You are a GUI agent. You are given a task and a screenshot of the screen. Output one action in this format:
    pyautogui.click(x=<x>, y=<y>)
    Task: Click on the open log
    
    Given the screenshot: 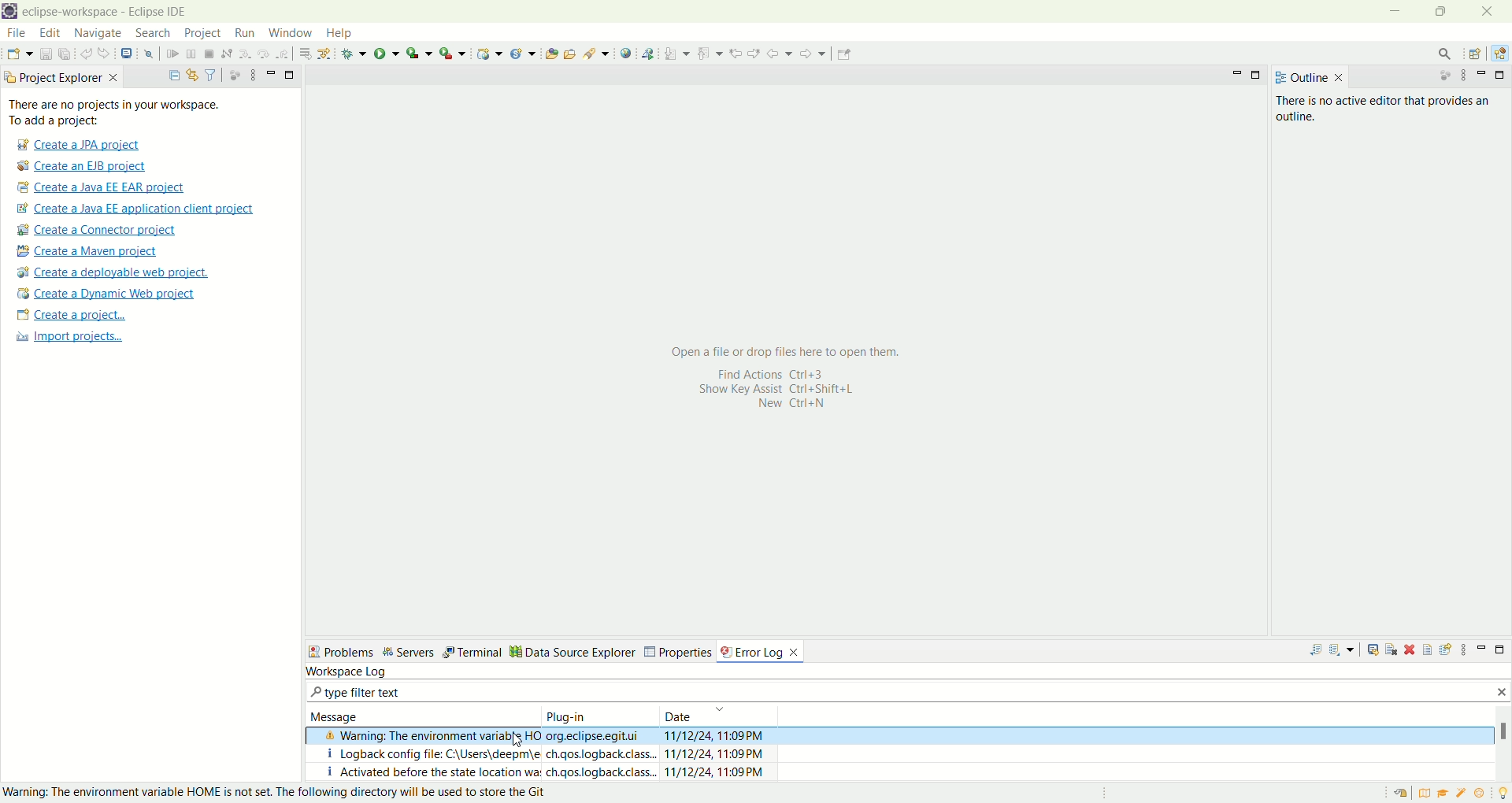 What is the action you would take?
    pyautogui.click(x=1428, y=652)
    